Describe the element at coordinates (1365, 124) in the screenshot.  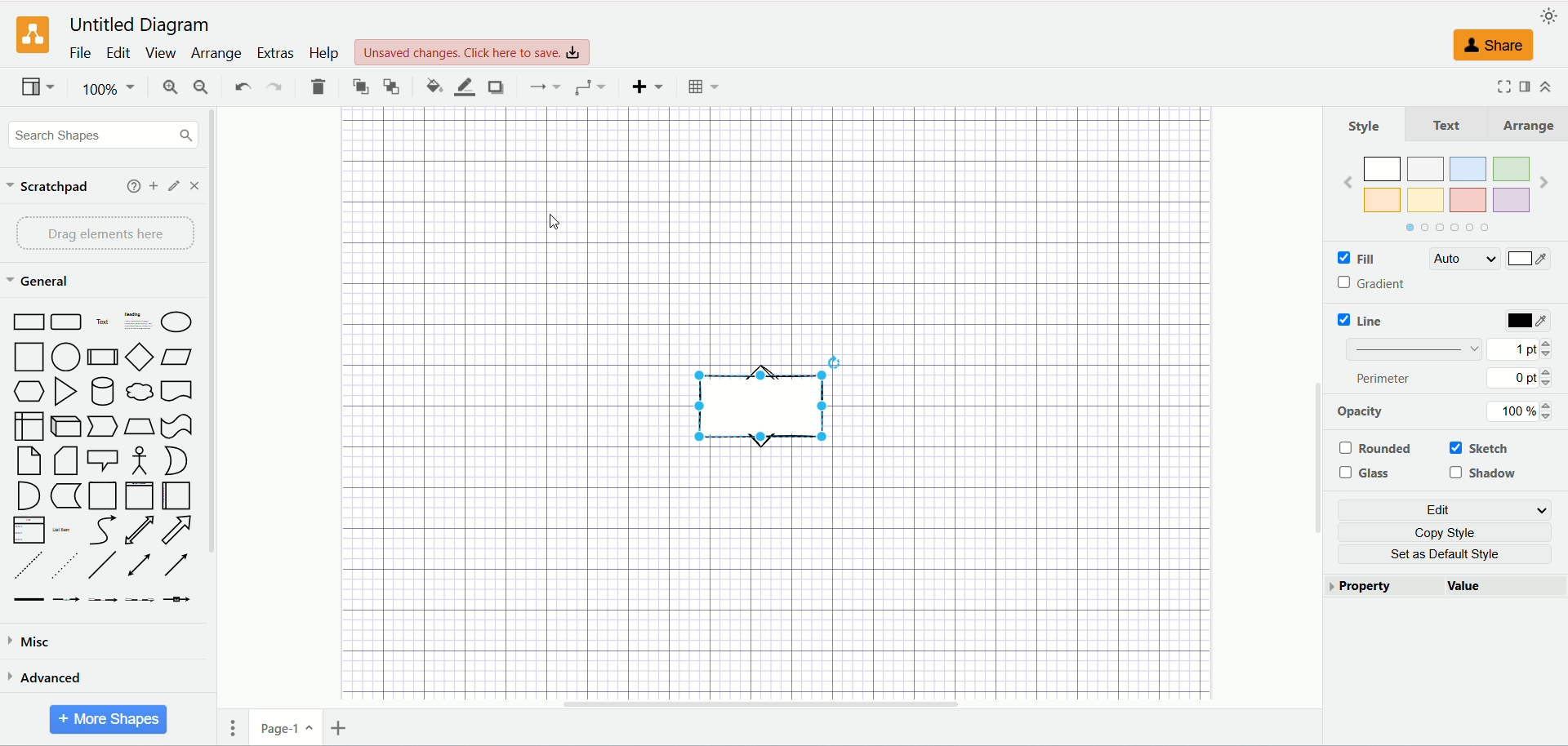
I see `style` at that location.